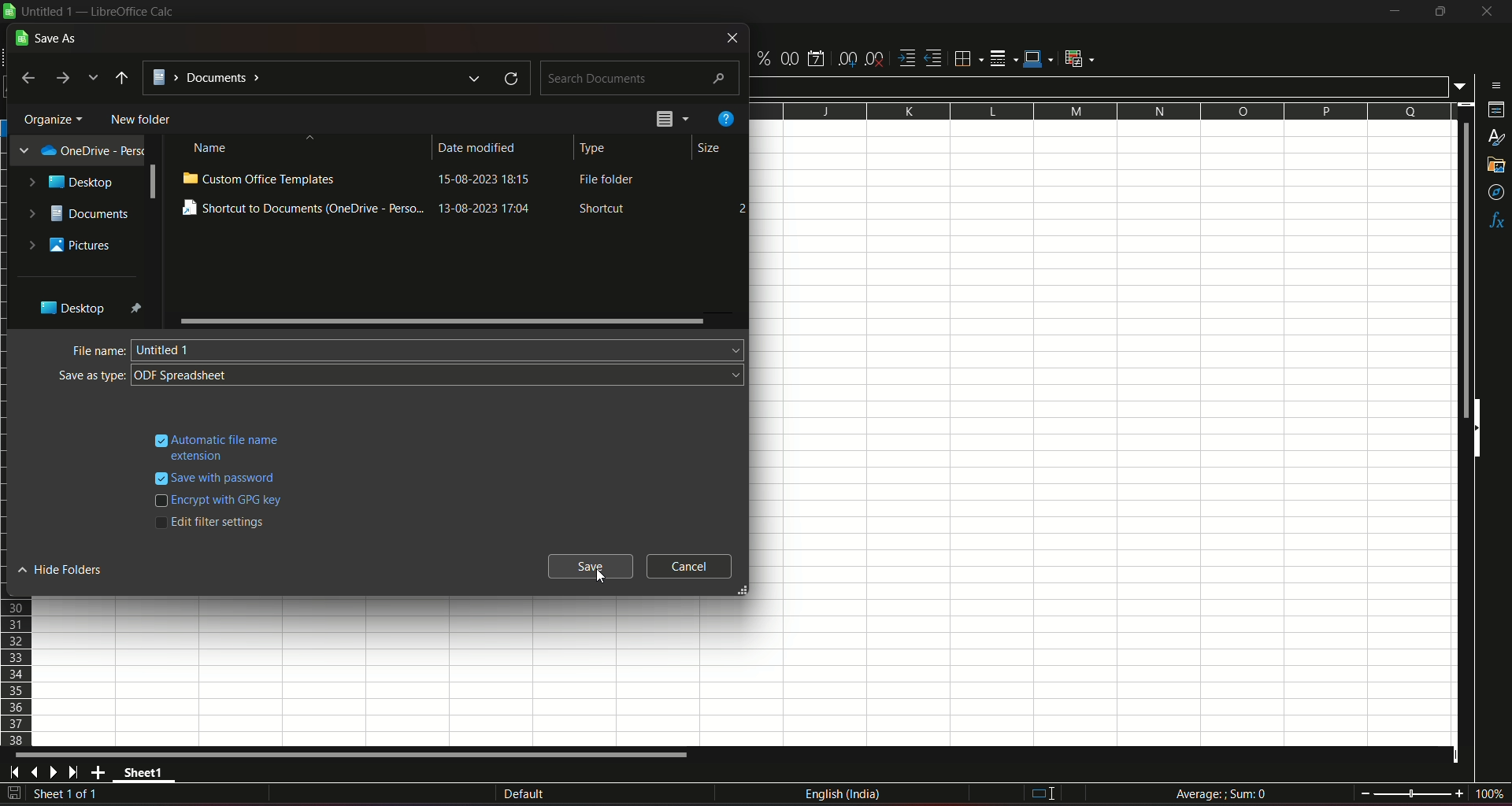 This screenshot has height=806, width=1512. Describe the element at coordinates (818, 57) in the screenshot. I see `format as date` at that location.